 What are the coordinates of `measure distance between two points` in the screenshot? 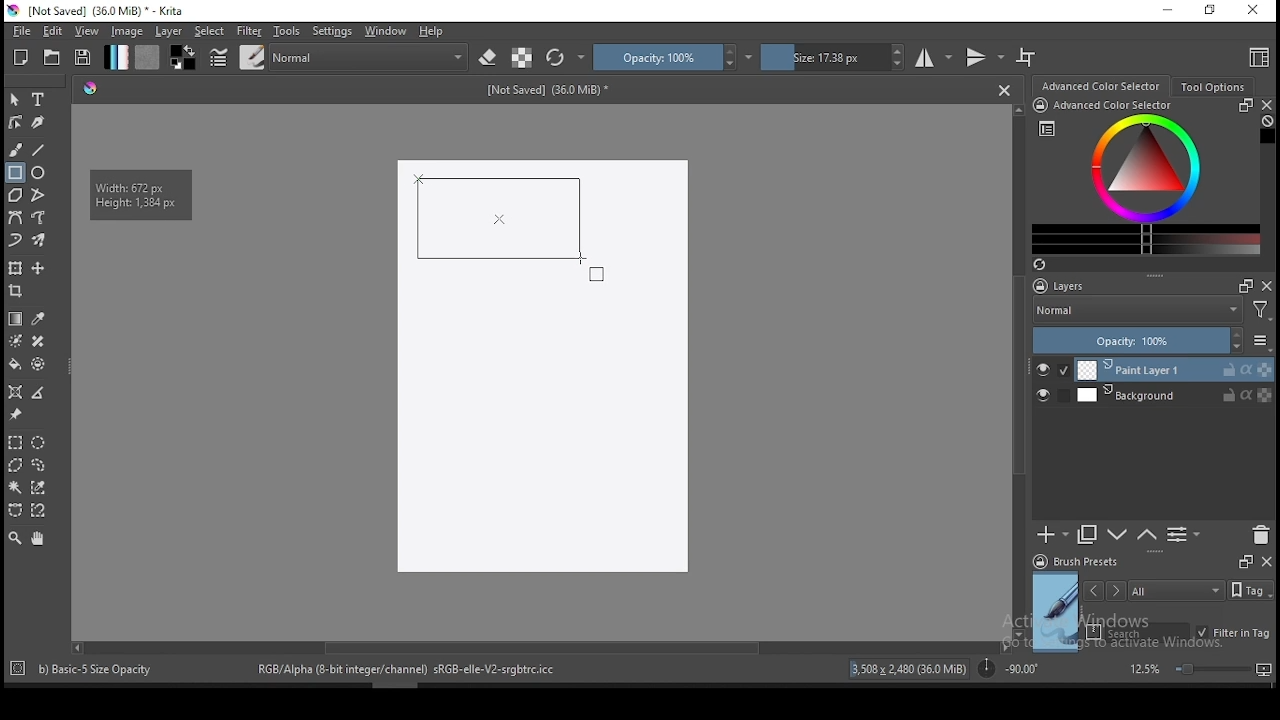 It's located at (39, 394).